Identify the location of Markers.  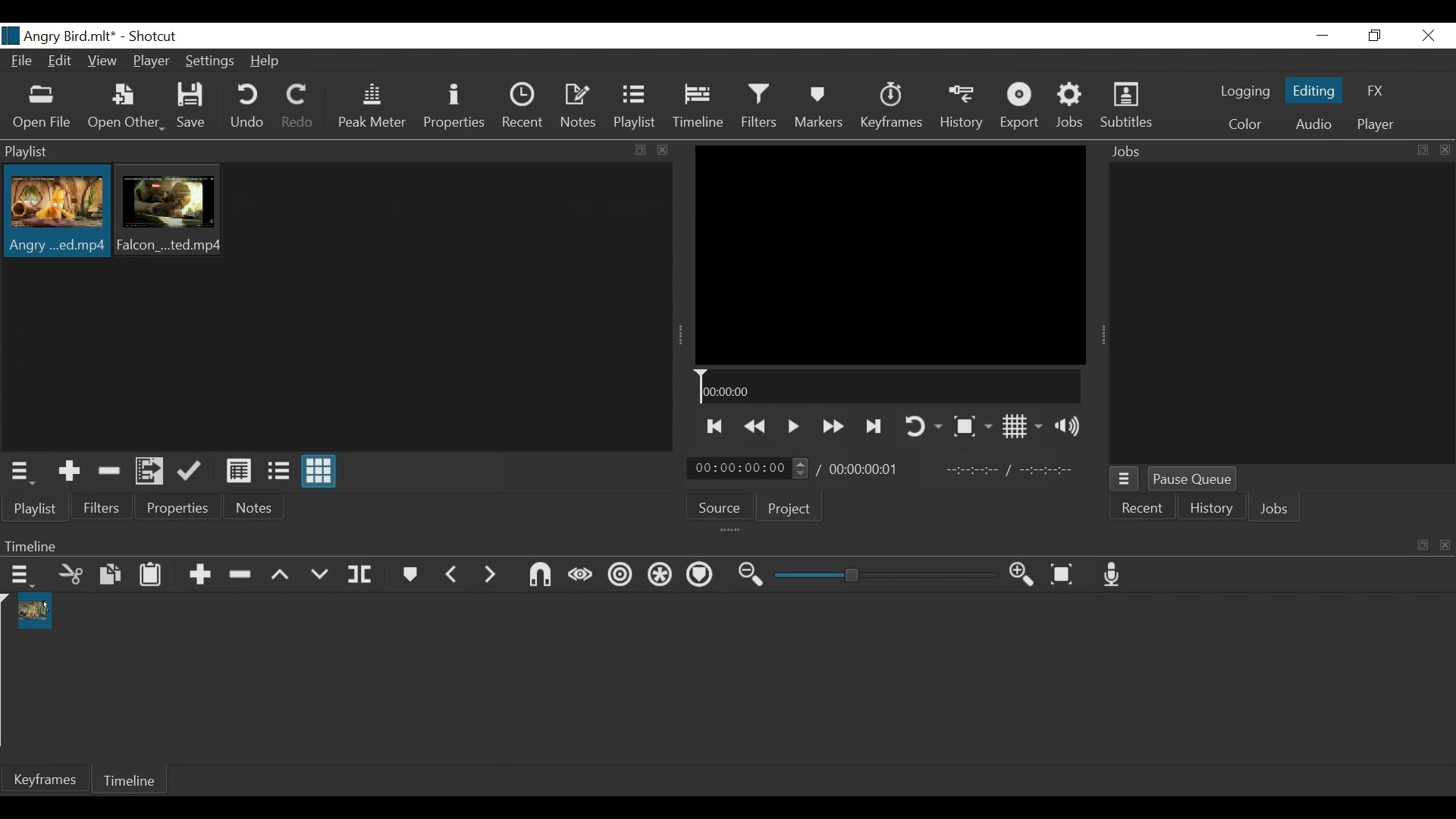
(821, 108).